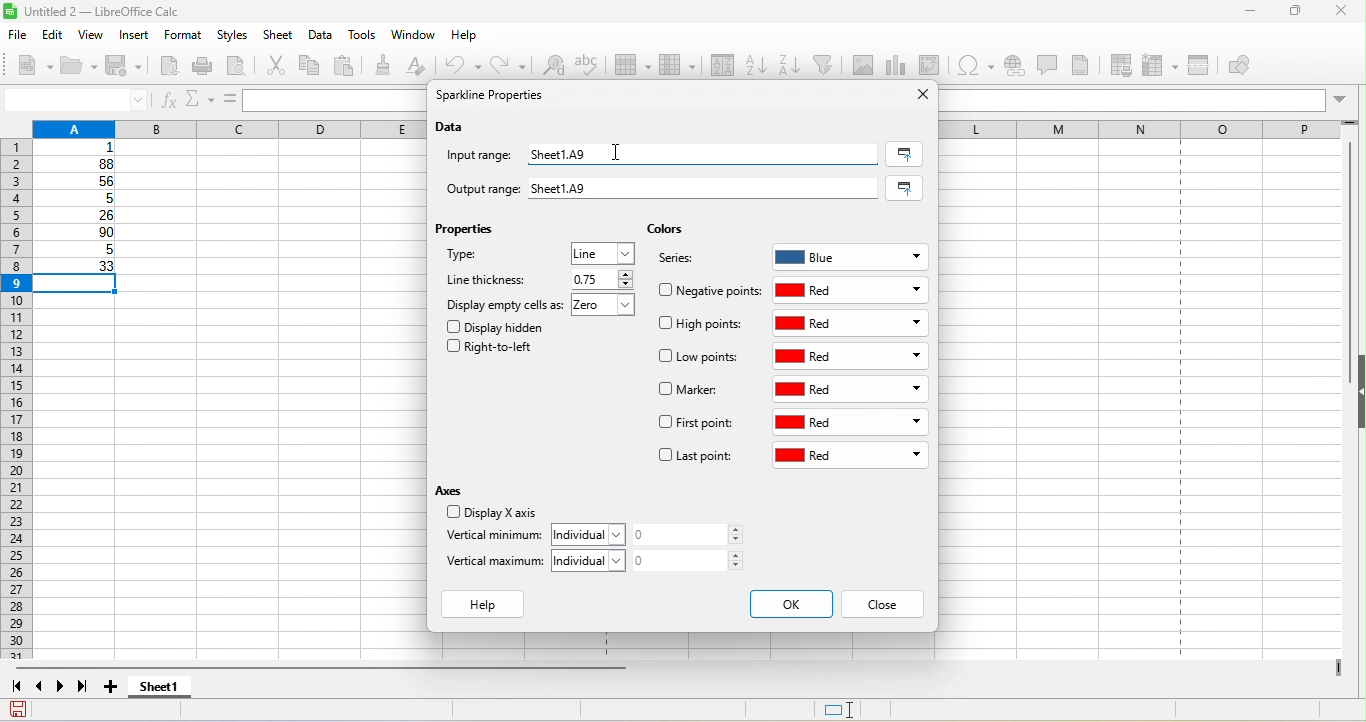  What do you see at coordinates (710, 290) in the screenshot?
I see `negative points` at bounding box center [710, 290].